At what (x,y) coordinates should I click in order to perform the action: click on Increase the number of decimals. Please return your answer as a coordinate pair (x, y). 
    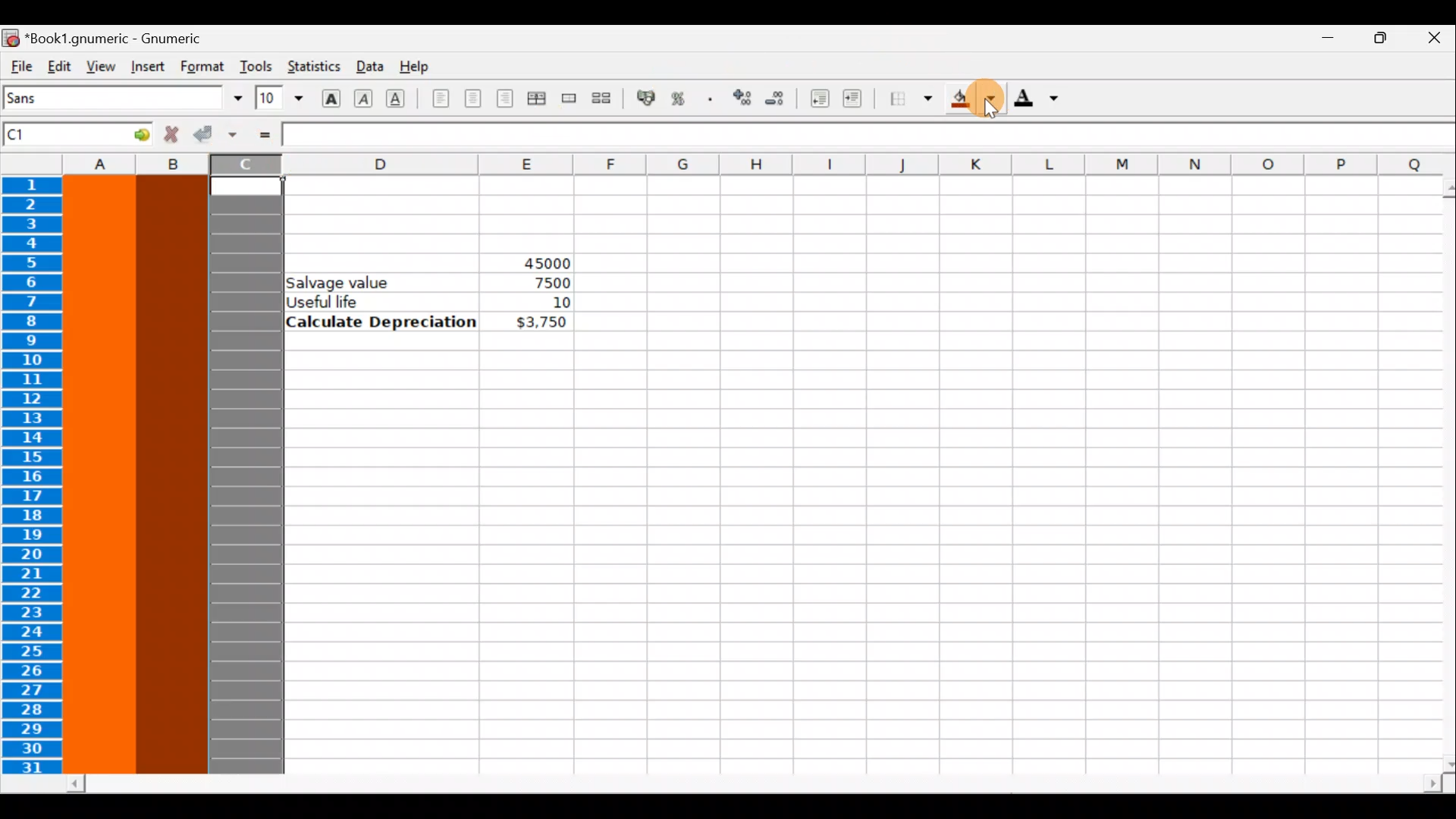
    Looking at the image, I should click on (741, 99).